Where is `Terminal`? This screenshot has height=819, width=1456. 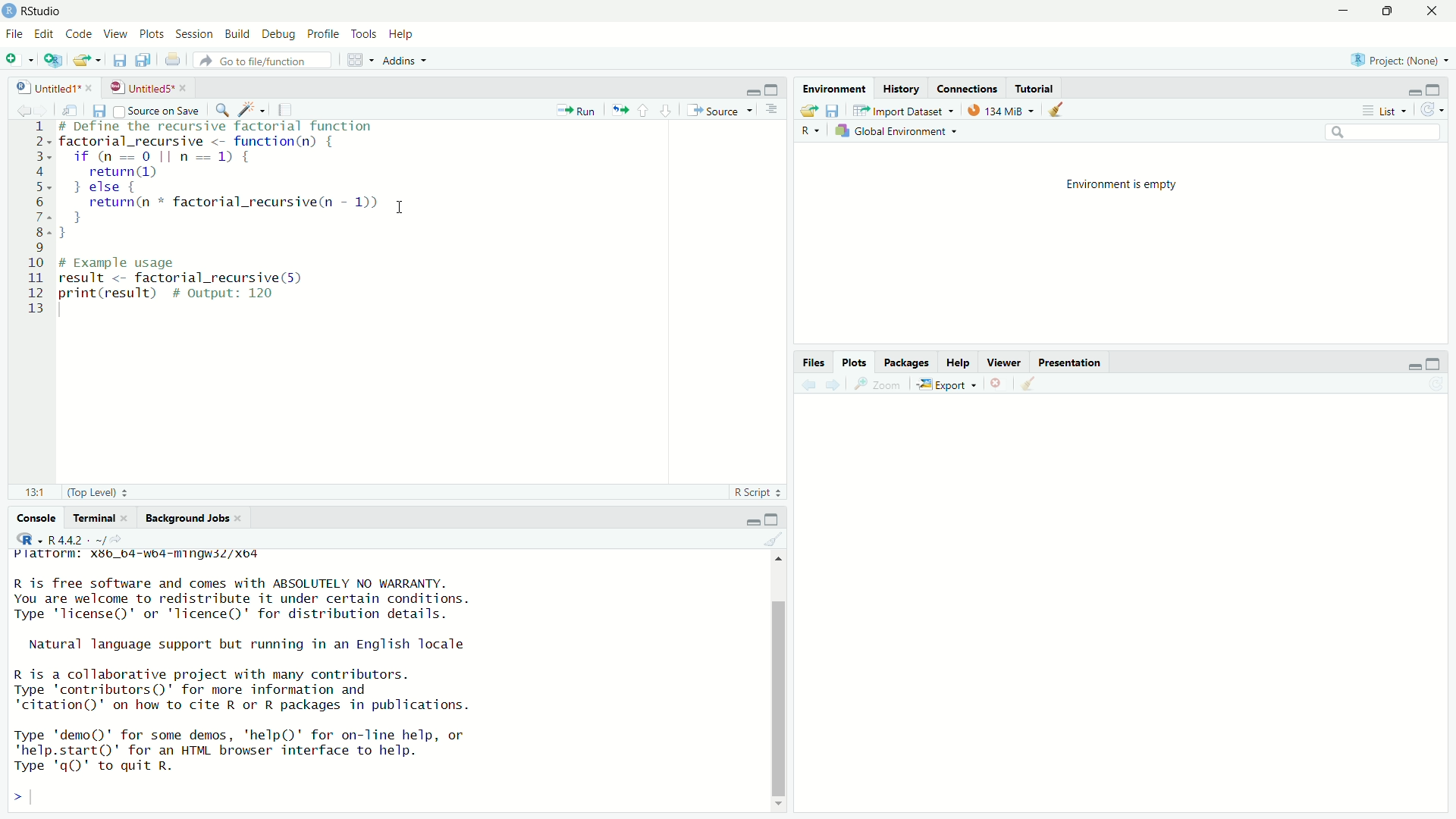 Terminal is located at coordinates (103, 518).